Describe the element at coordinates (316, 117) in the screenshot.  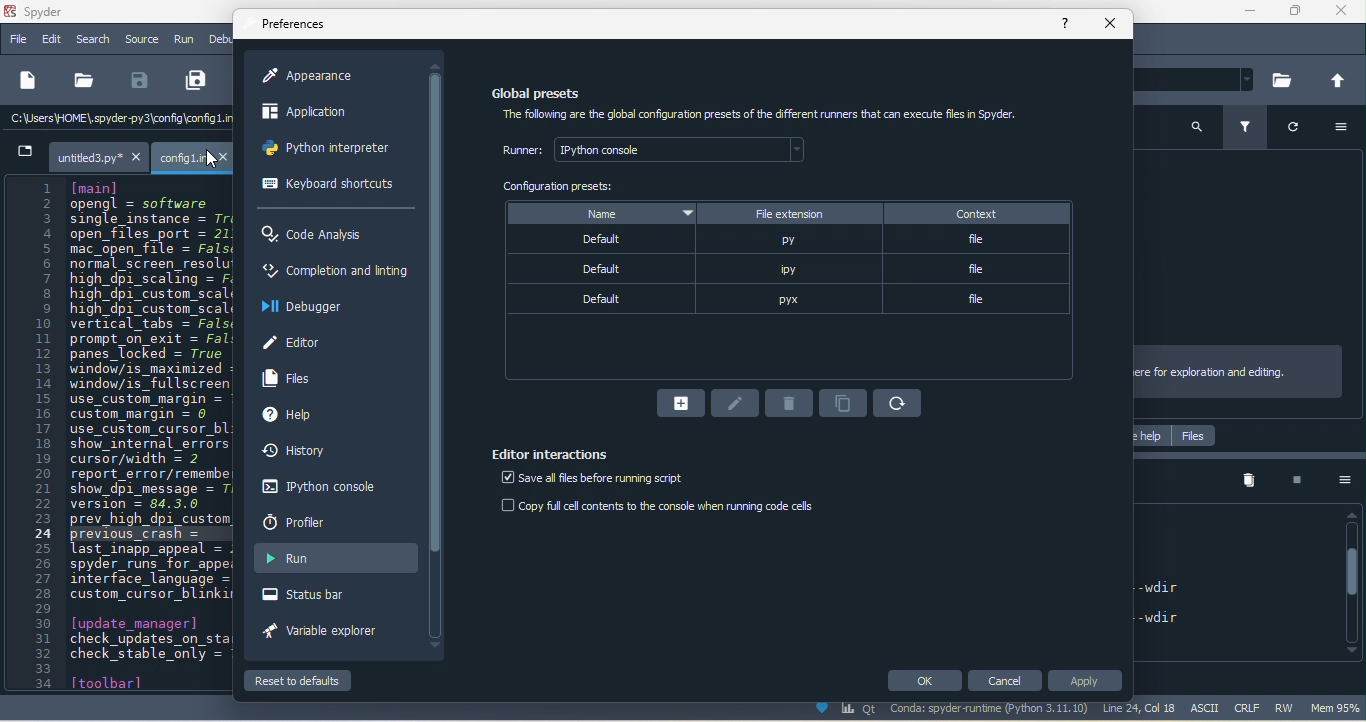
I see `application` at that location.